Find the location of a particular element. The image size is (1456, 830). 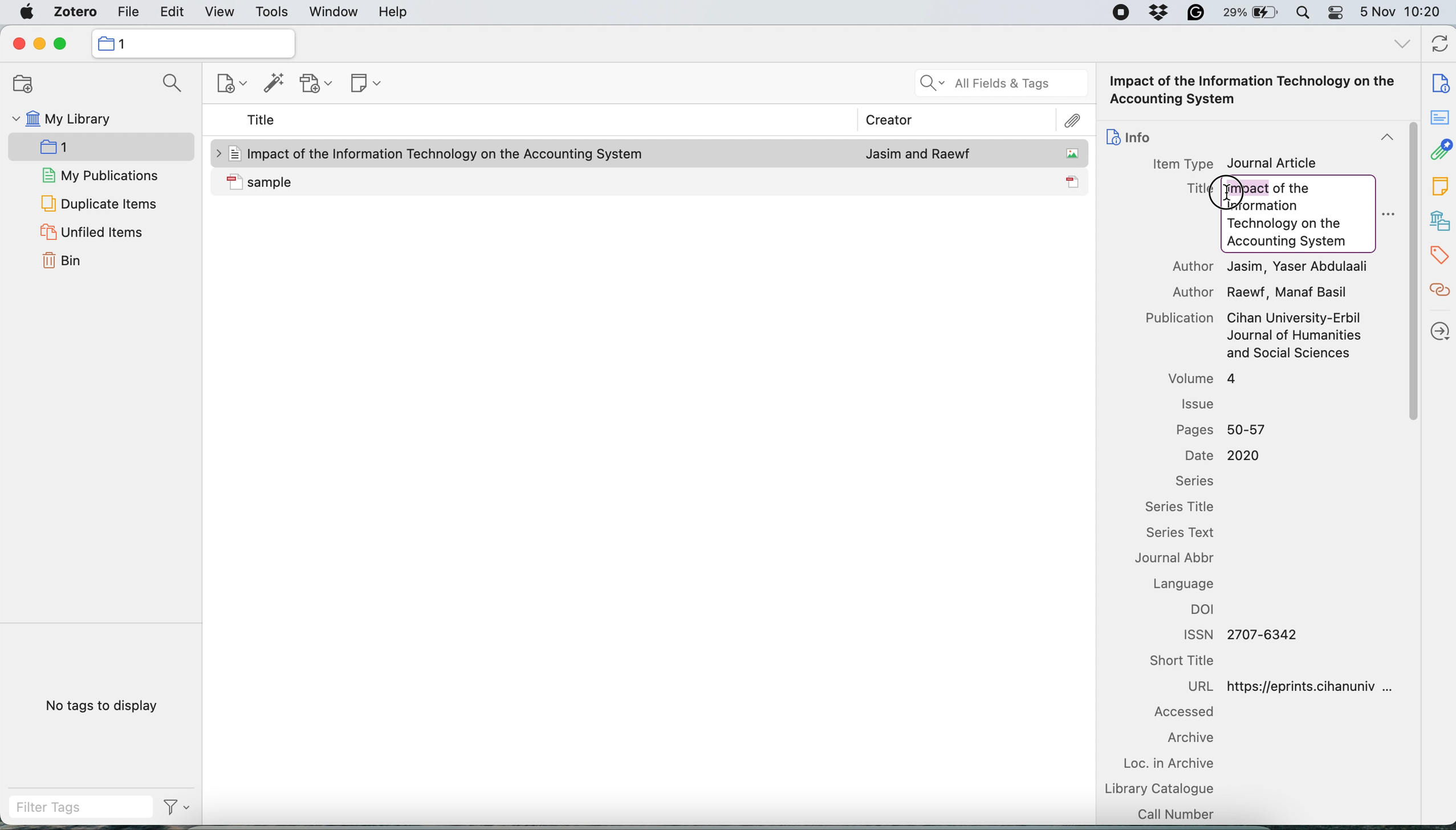

no tags to display is located at coordinates (102, 705).